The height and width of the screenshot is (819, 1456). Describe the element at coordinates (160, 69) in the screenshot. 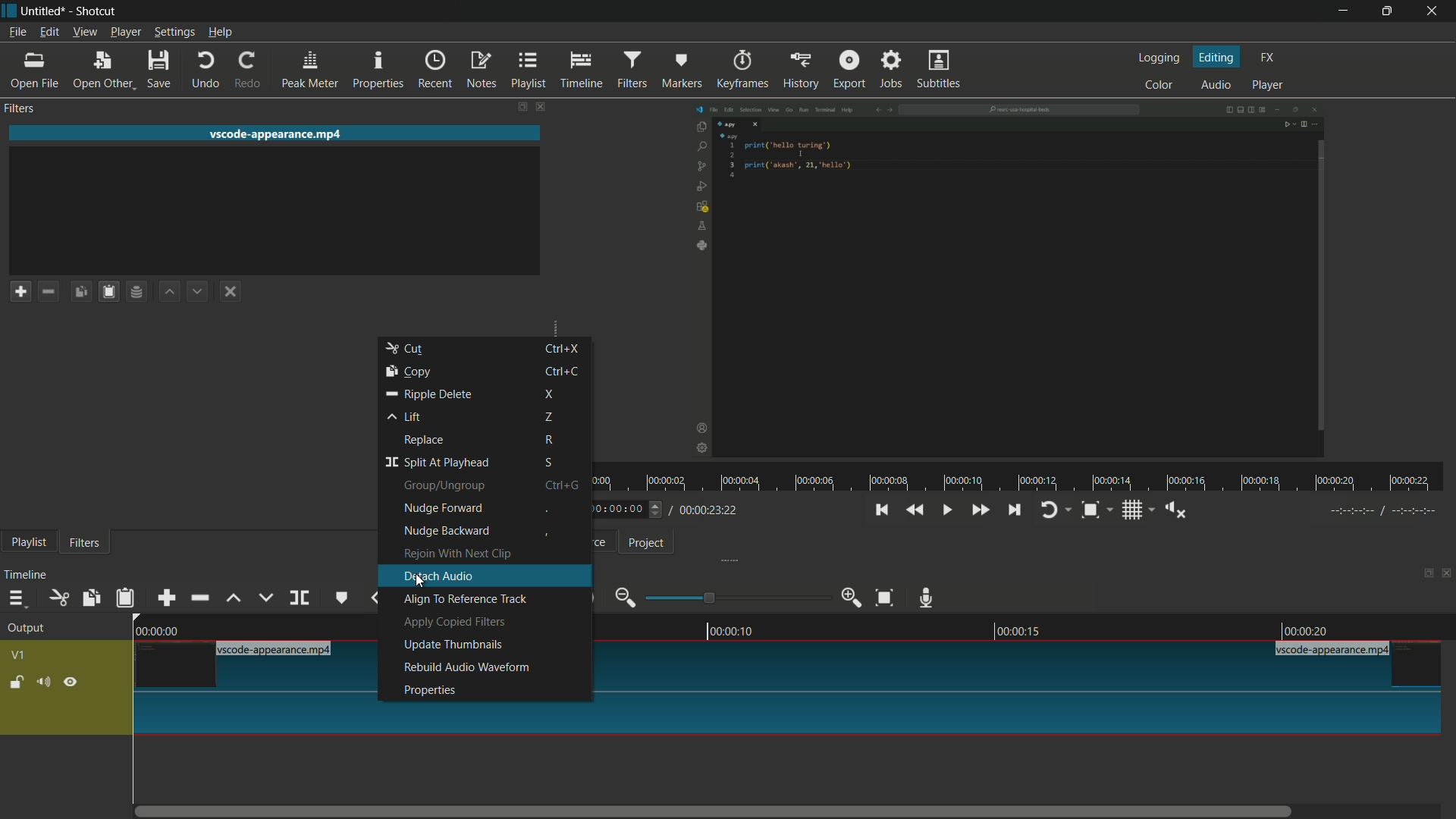

I see `save` at that location.